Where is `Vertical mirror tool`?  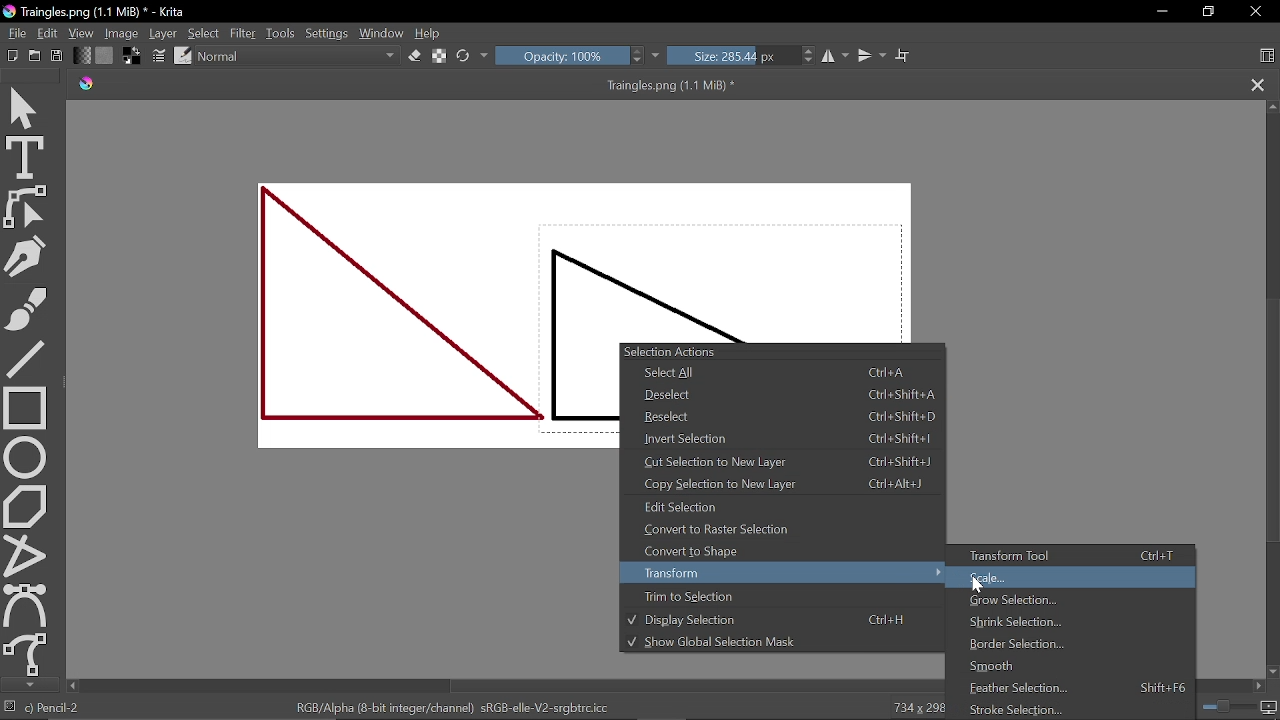
Vertical mirror tool is located at coordinates (872, 56).